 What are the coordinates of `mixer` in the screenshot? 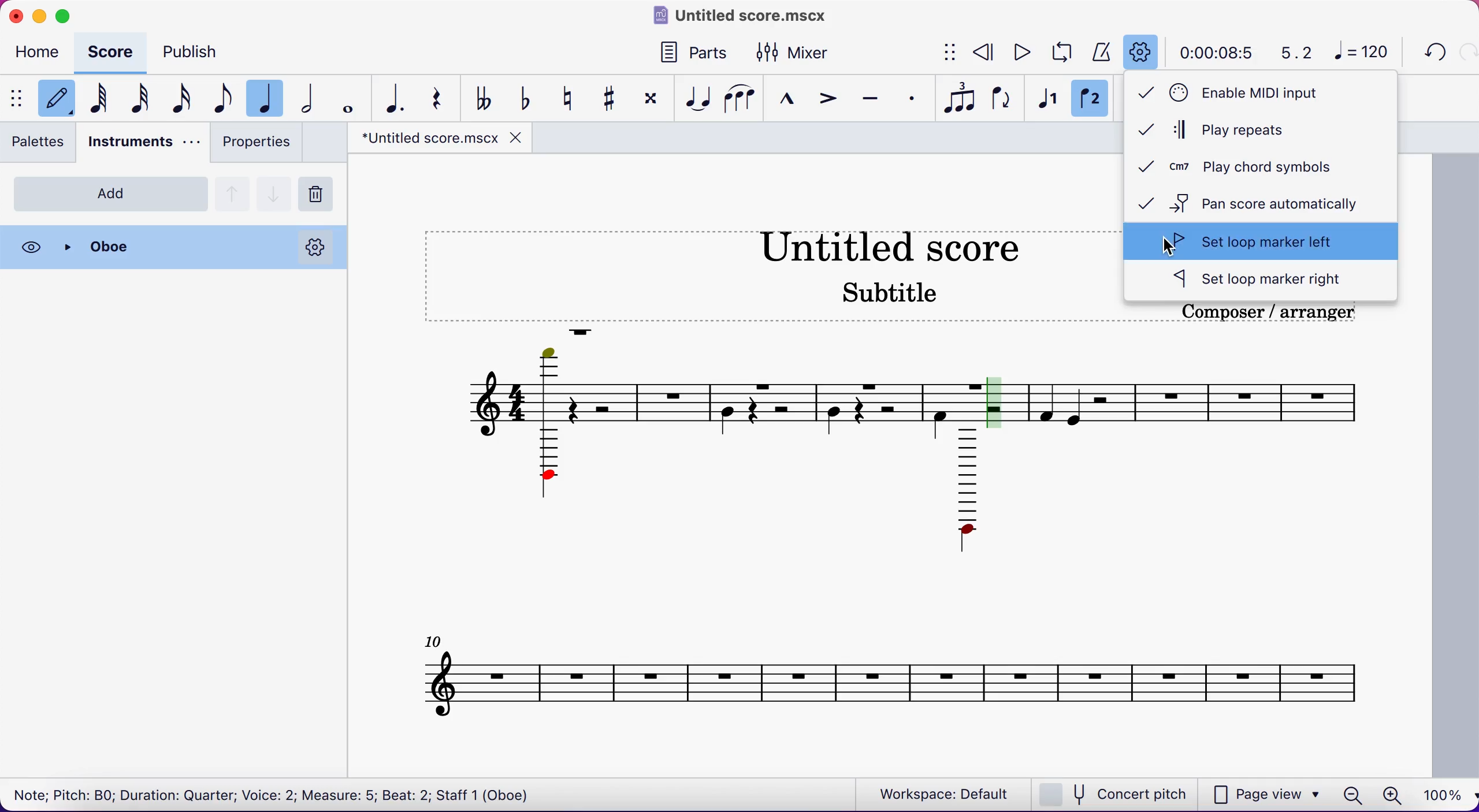 It's located at (805, 51).